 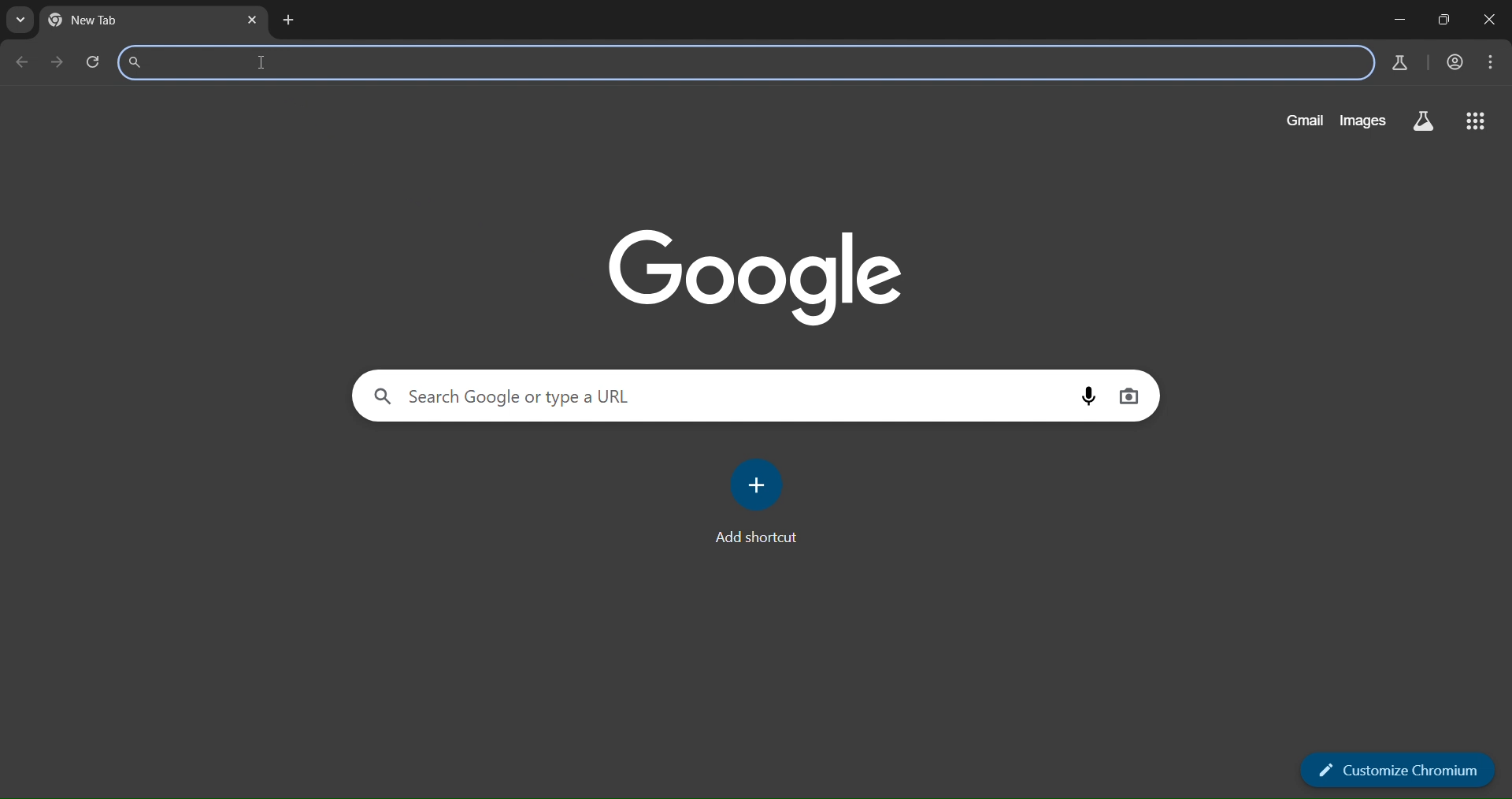 I want to click on search tabs, so click(x=22, y=21).